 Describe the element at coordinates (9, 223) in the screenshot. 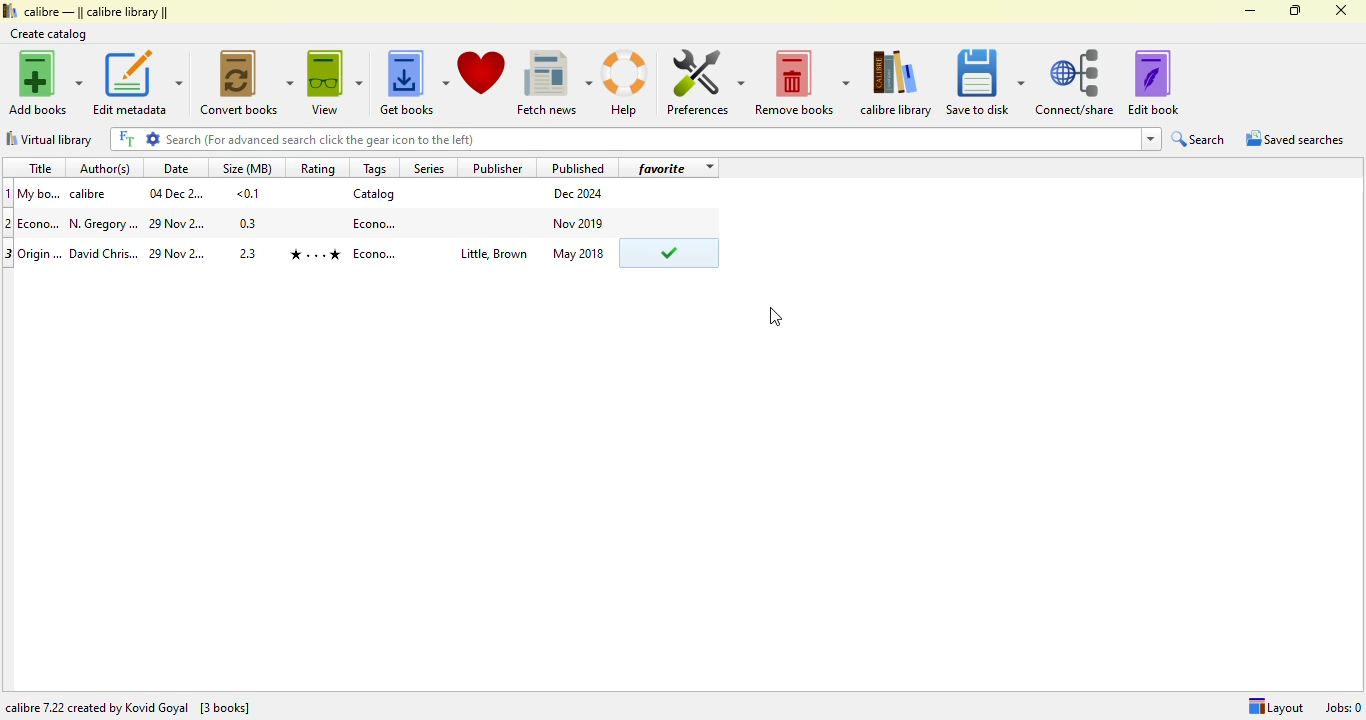

I see `2` at that location.